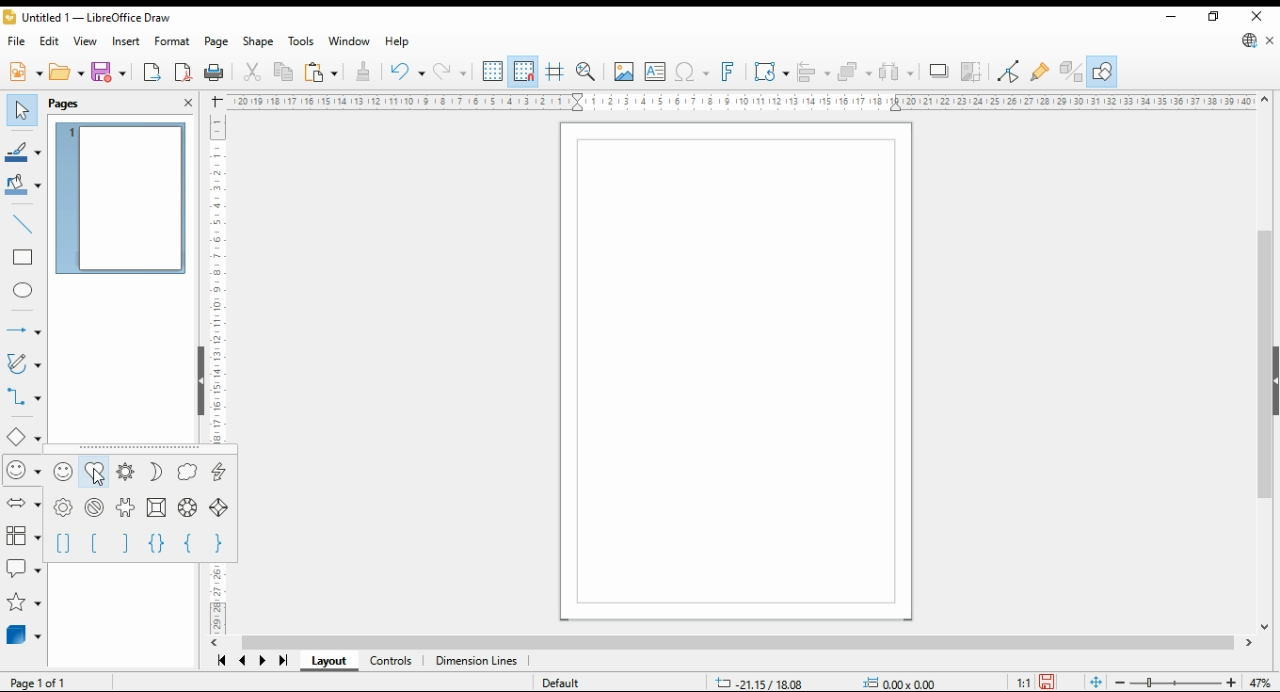  What do you see at coordinates (20, 534) in the screenshot?
I see `flowchart` at bounding box center [20, 534].